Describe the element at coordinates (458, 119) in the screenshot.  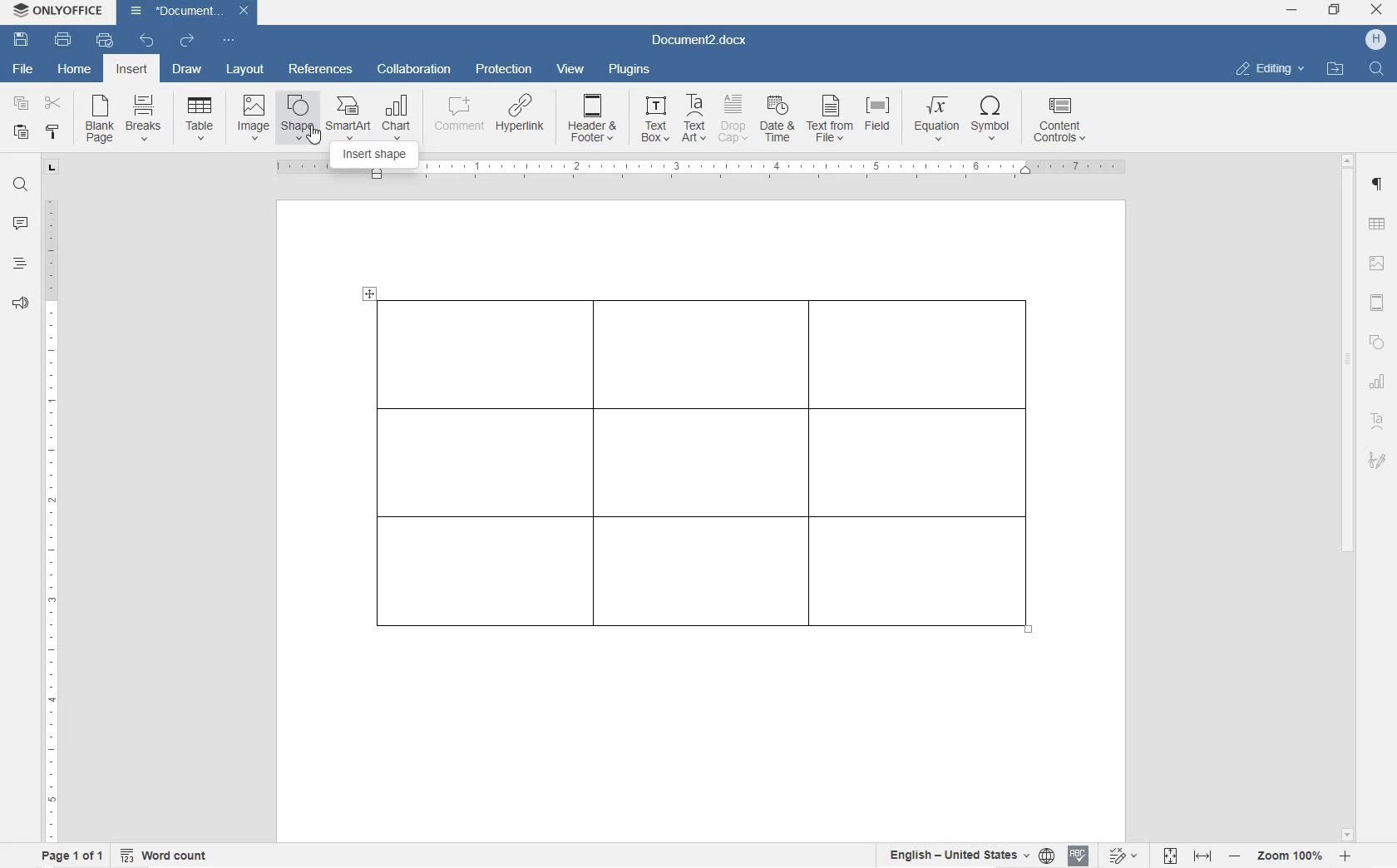
I see `COMMENT` at that location.